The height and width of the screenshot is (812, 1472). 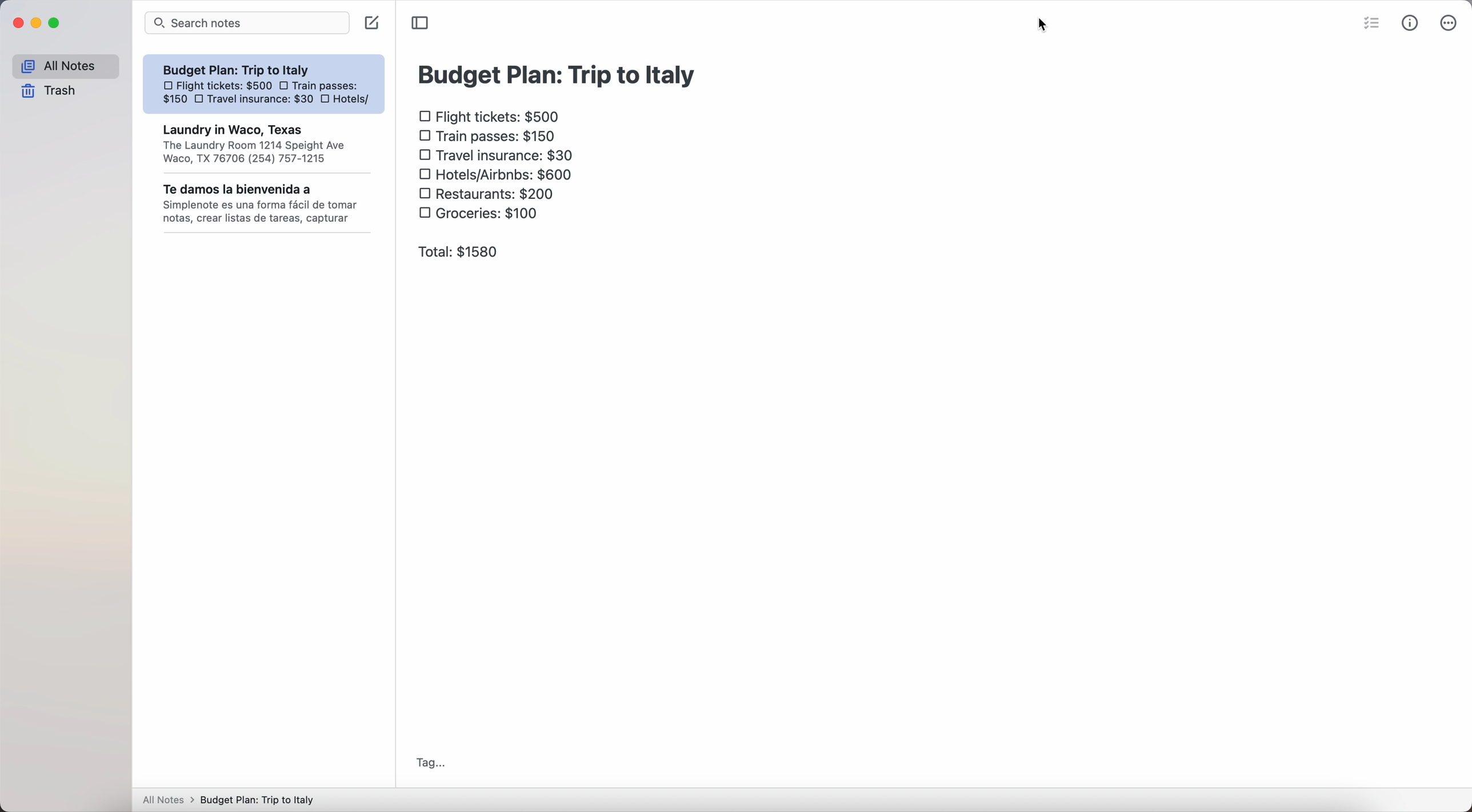 What do you see at coordinates (433, 762) in the screenshot?
I see `tag` at bounding box center [433, 762].